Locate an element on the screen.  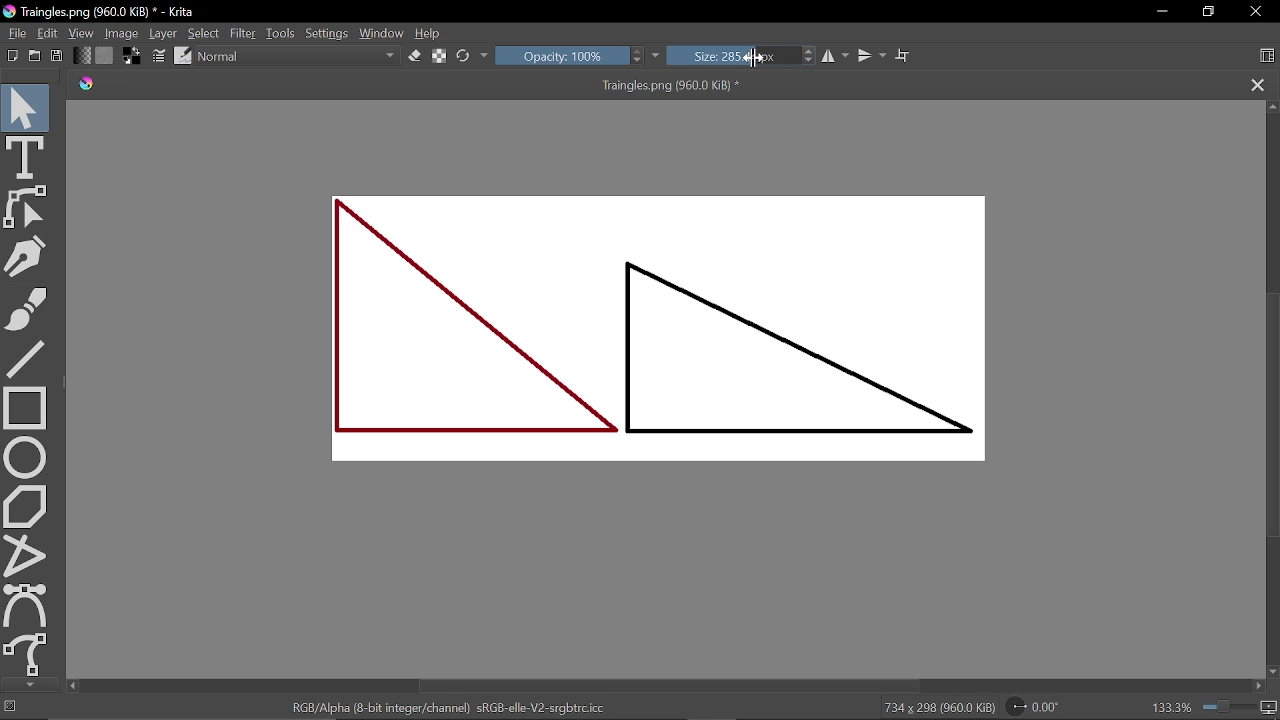
Cursor is located at coordinates (753, 59).